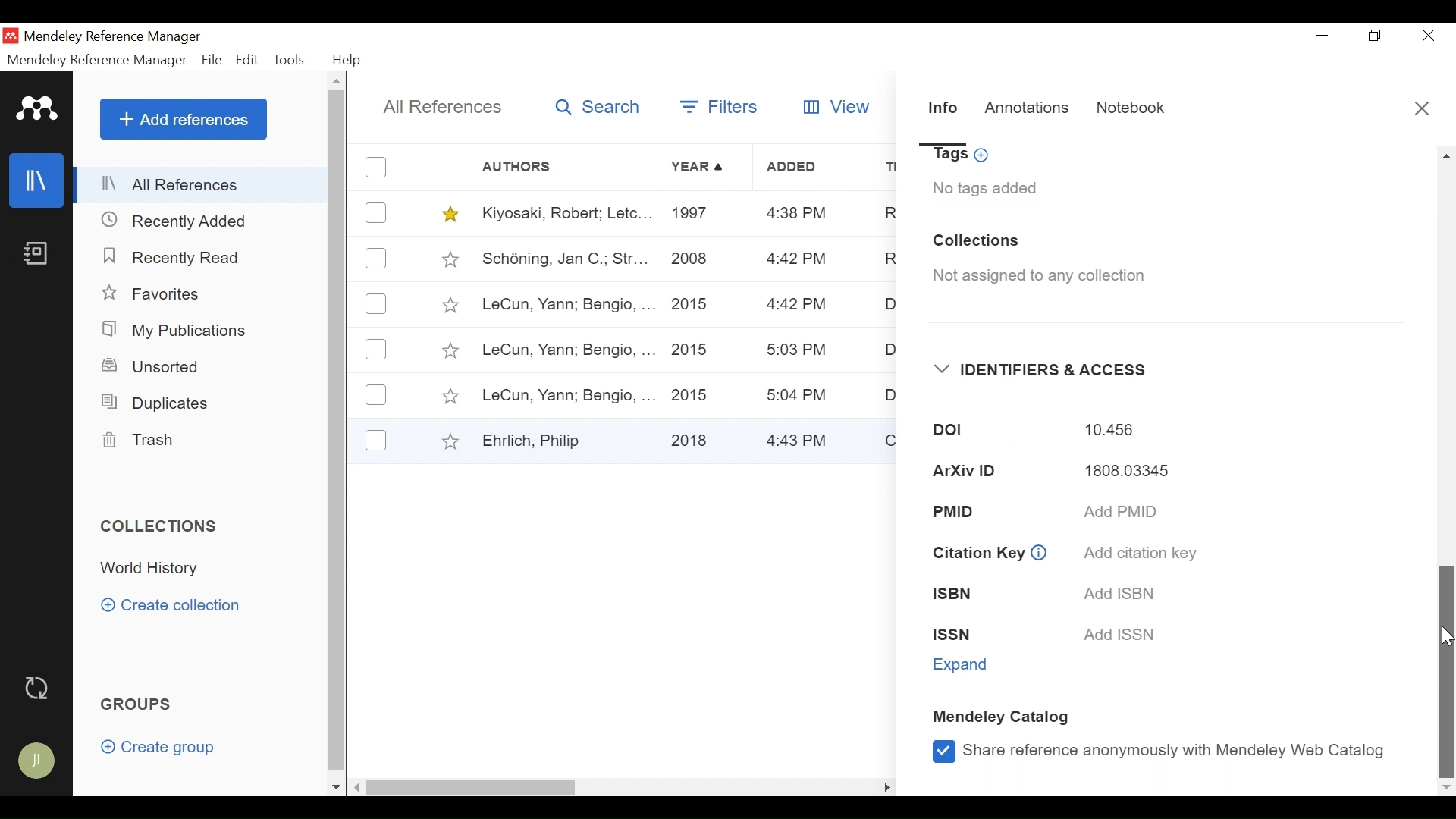  Describe the element at coordinates (376, 395) in the screenshot. I see `(un)select` at that location.